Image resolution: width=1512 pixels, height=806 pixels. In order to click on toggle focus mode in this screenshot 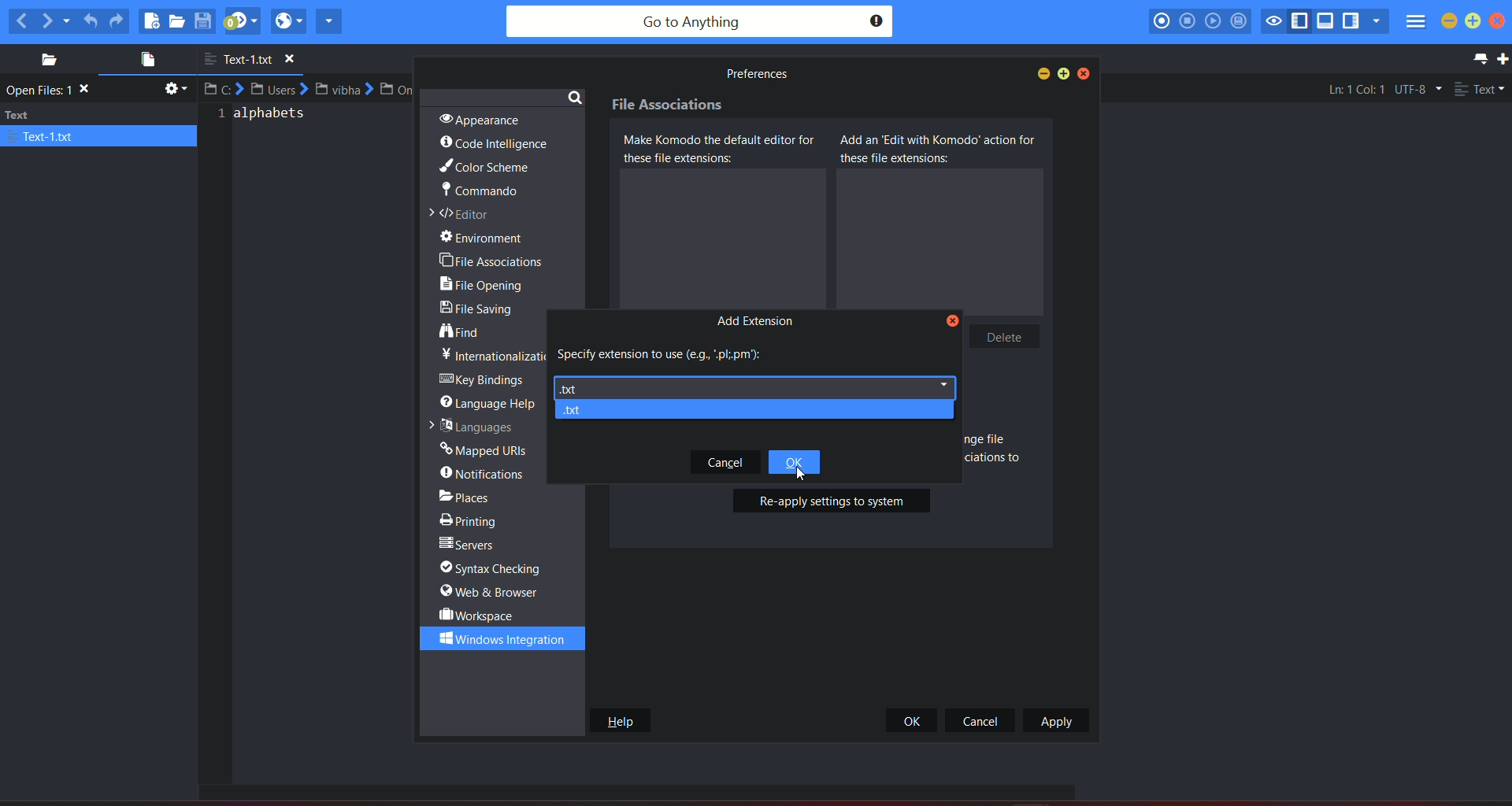, I will do `click(1274, 20)`.